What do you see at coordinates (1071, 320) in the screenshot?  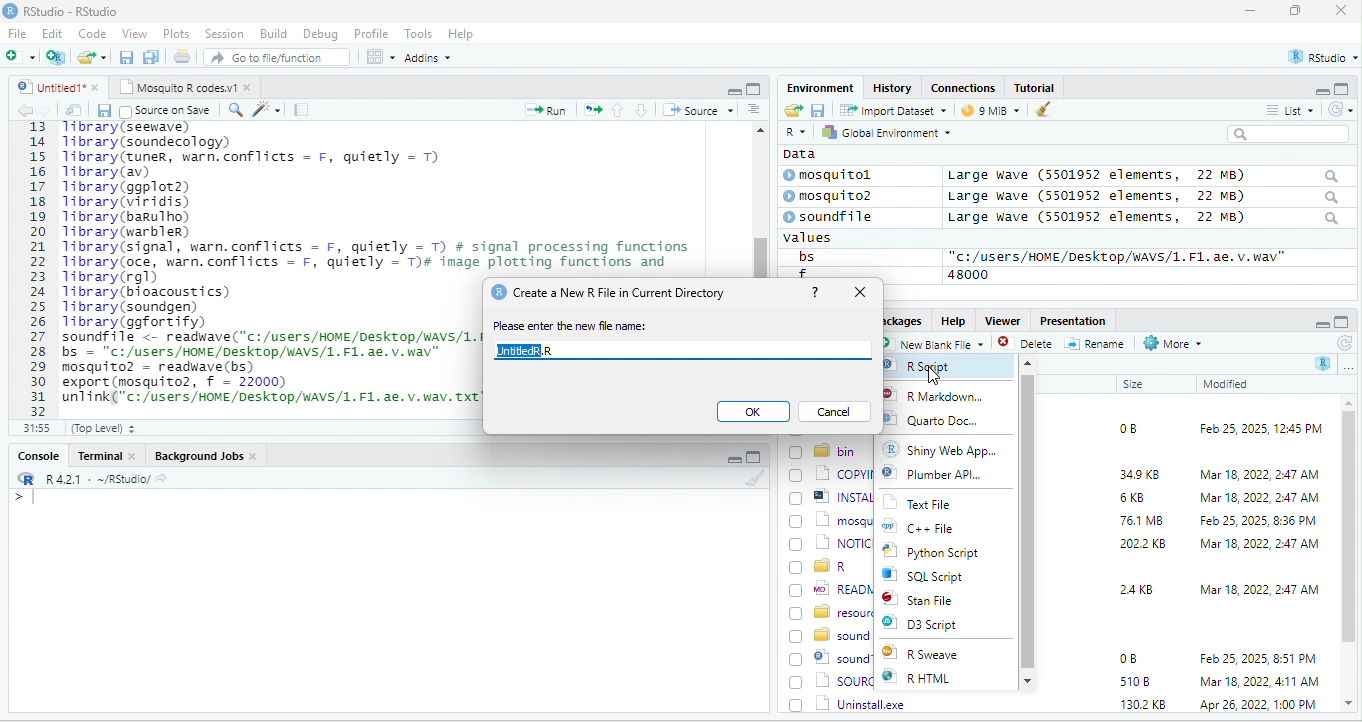 I see `Presentation` at bounding box center [1071, 320].